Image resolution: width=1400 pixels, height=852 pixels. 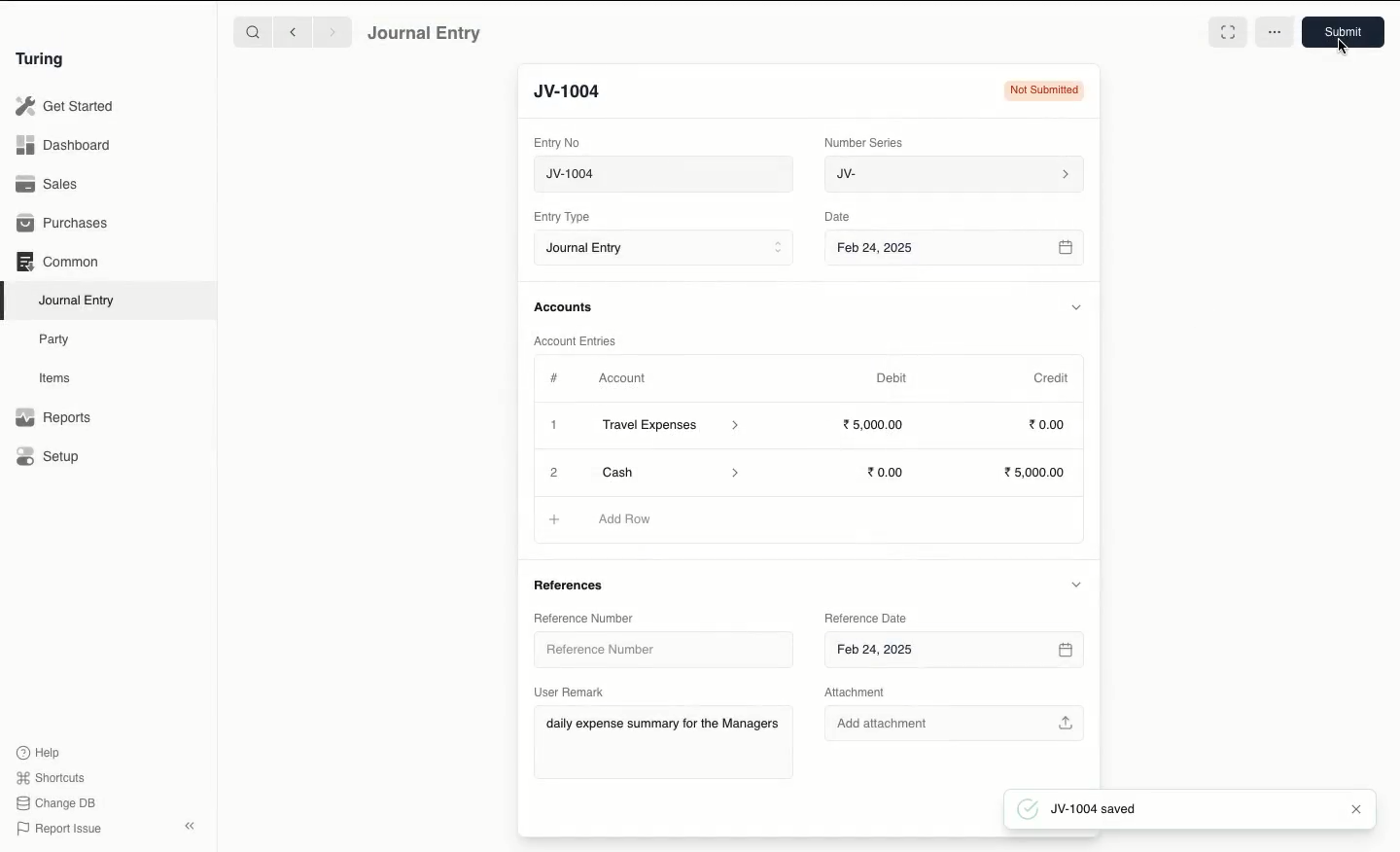 I want to click on 5,000.00, so click(x=1039, y=473).